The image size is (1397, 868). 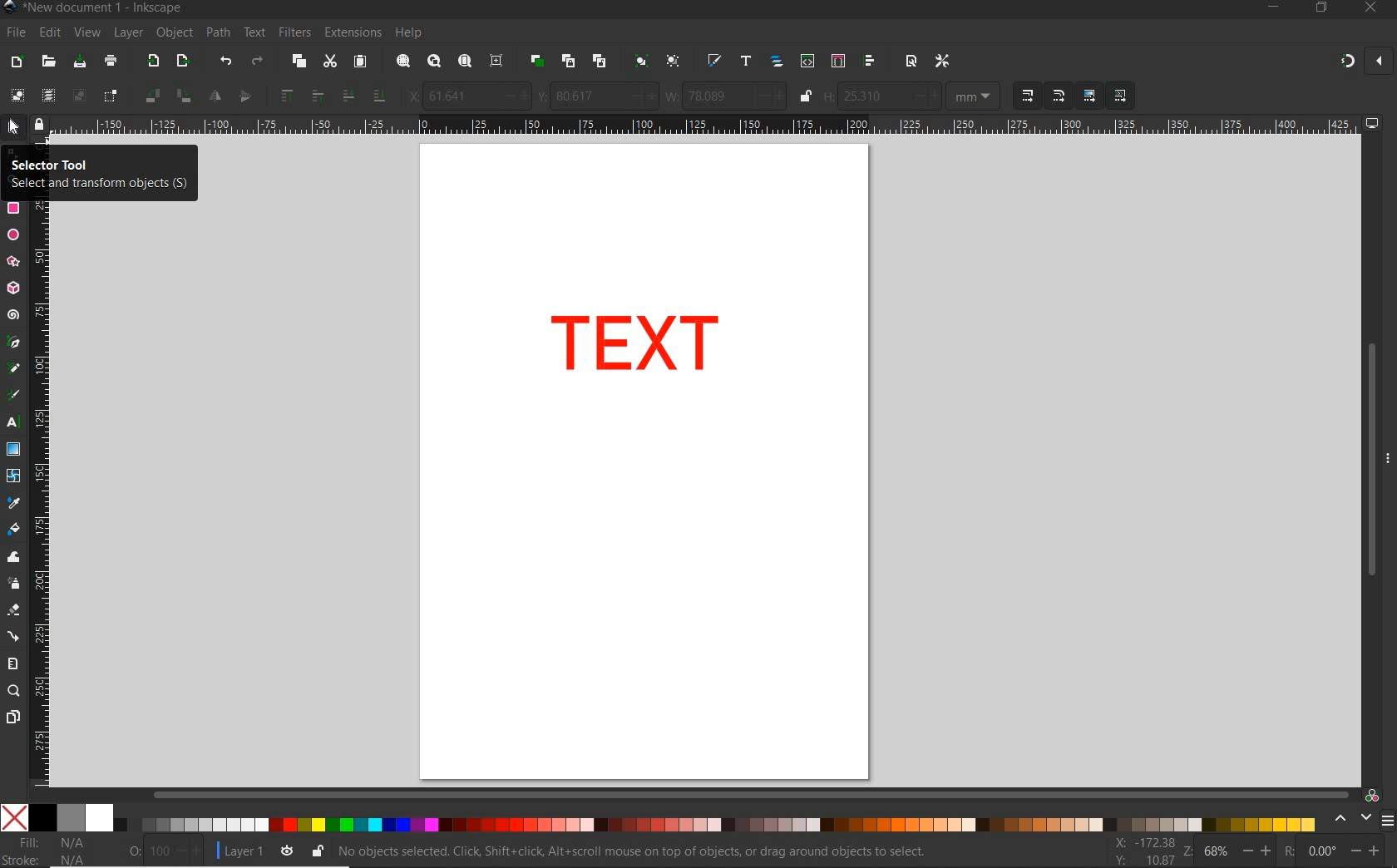 I want to click on ENABLE SNAPPING TOOL, so click(x=1356, y=62).